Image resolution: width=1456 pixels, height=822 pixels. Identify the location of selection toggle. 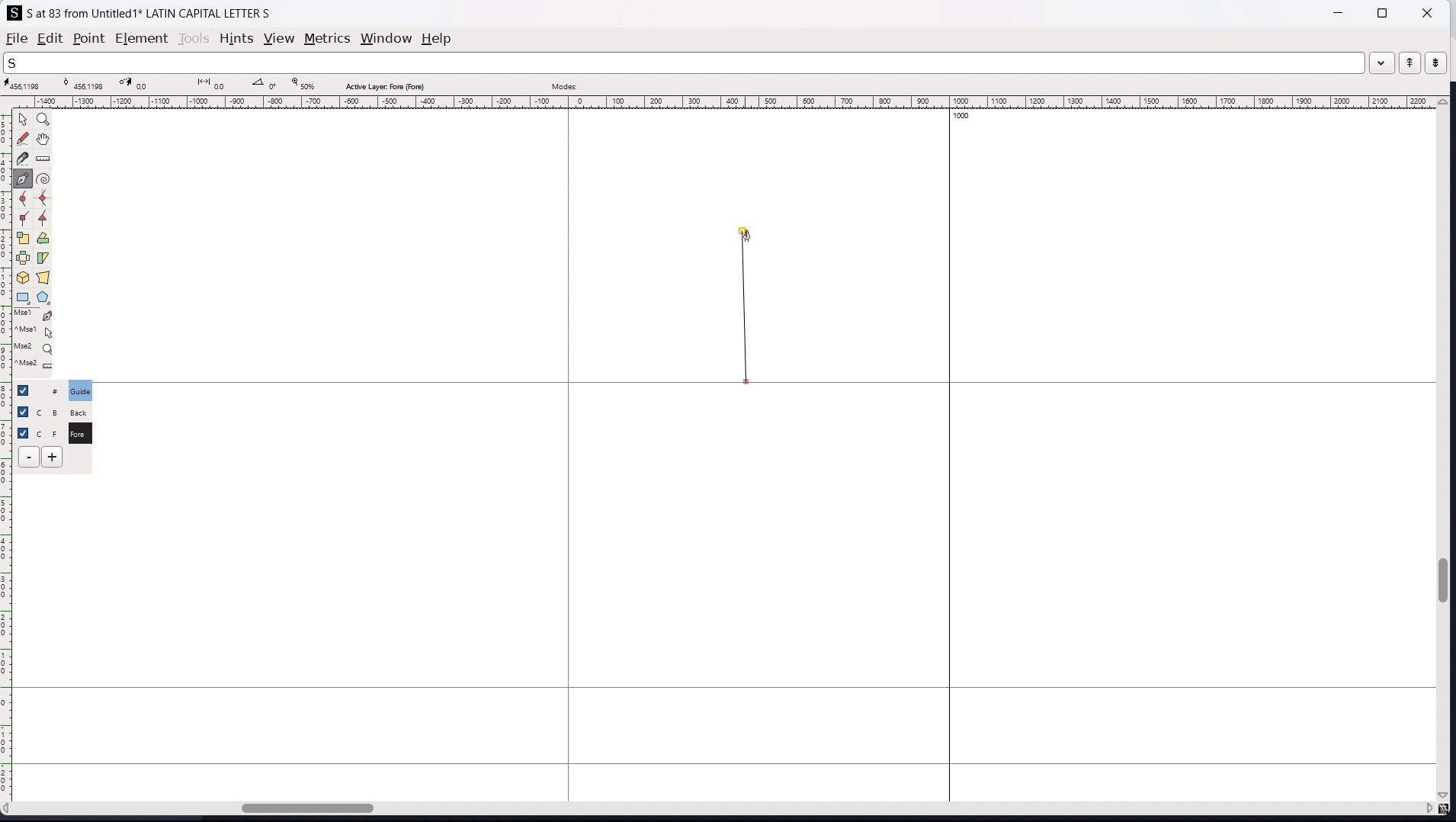
(24, 432).